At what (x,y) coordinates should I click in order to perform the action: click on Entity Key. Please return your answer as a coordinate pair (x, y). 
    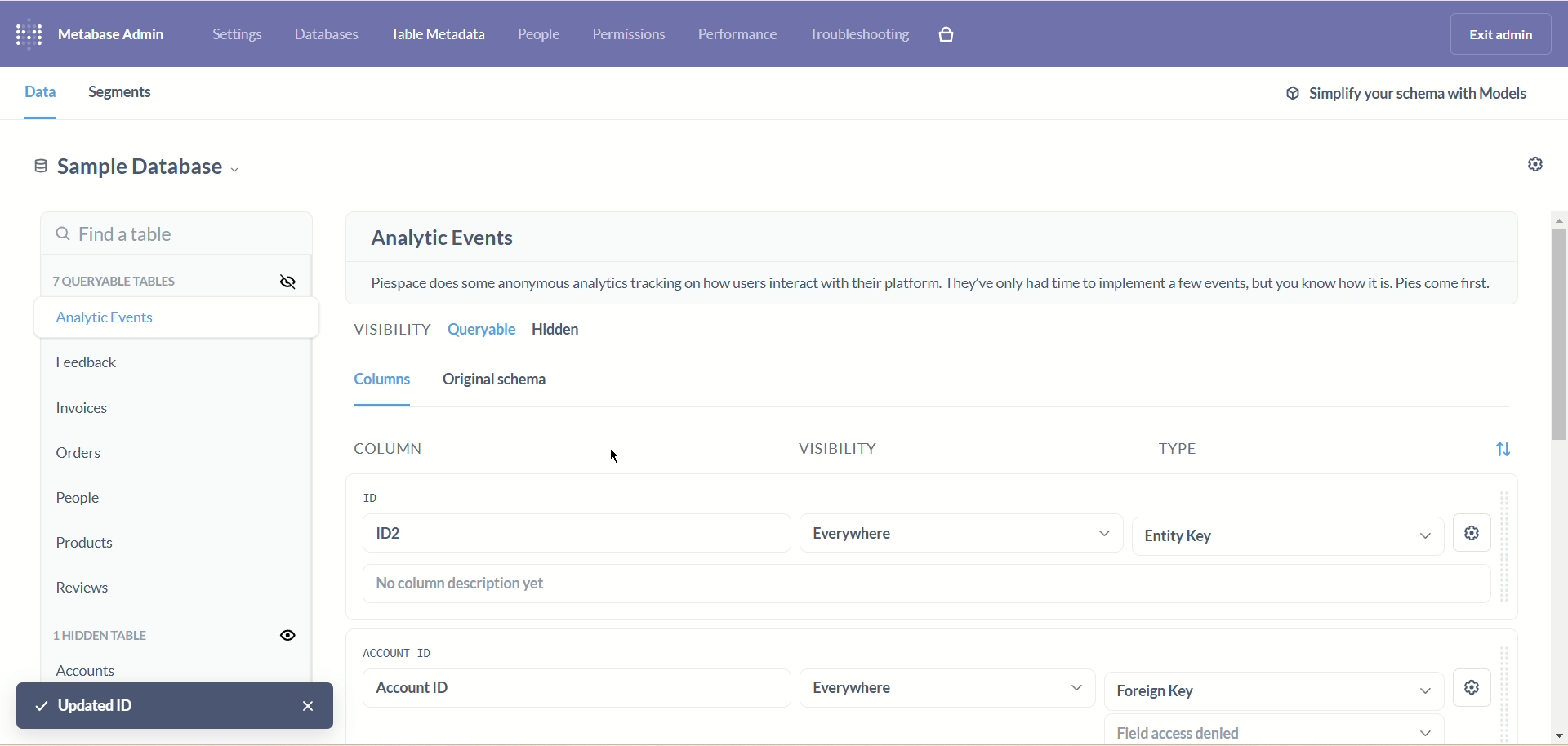
    Looking at the image, I should click on (1287, 537).